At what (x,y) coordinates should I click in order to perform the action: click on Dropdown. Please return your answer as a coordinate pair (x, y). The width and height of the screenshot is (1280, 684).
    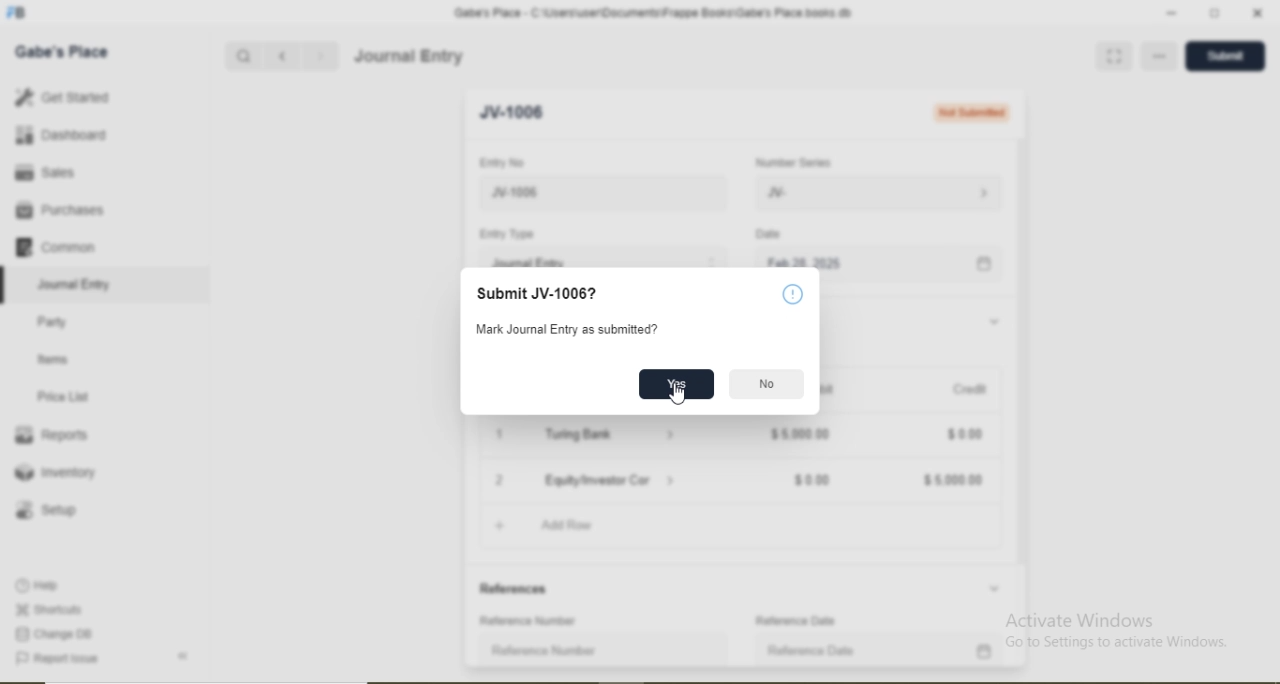
    Looking at the image, I should click on (995, 322).